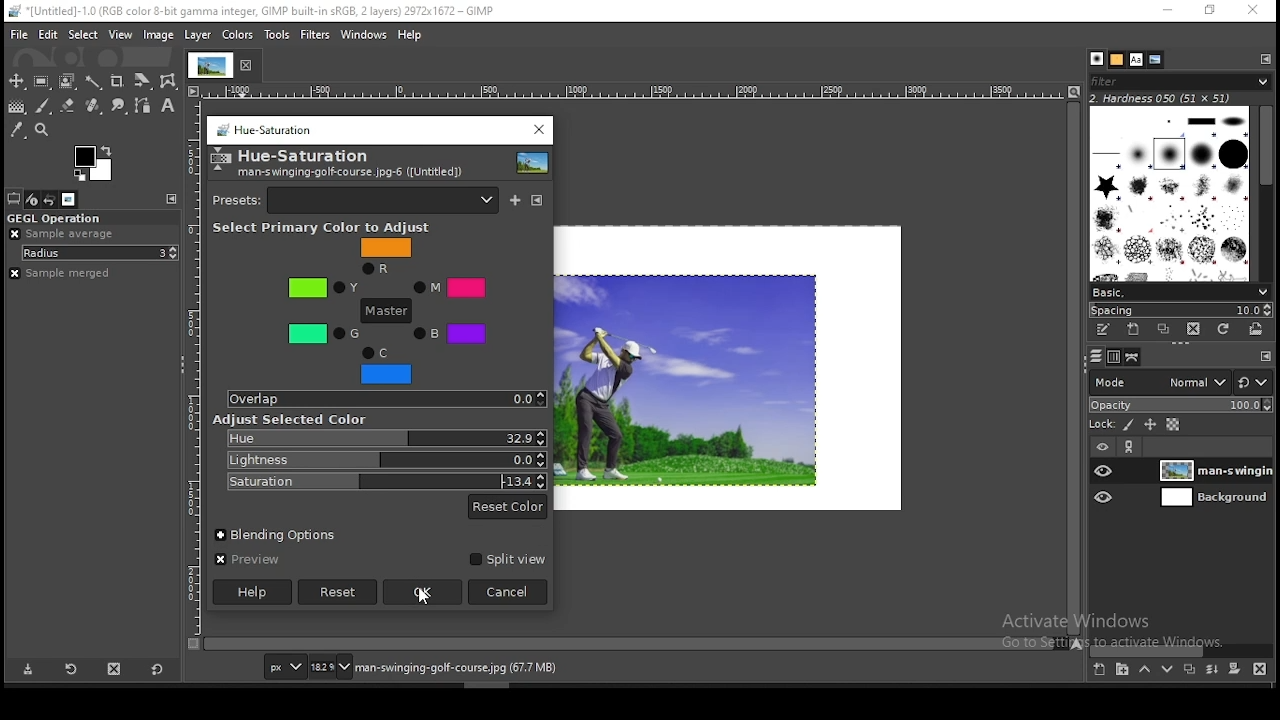 The image size is (1280, 720). I want to click on logo, so click(221, 160).